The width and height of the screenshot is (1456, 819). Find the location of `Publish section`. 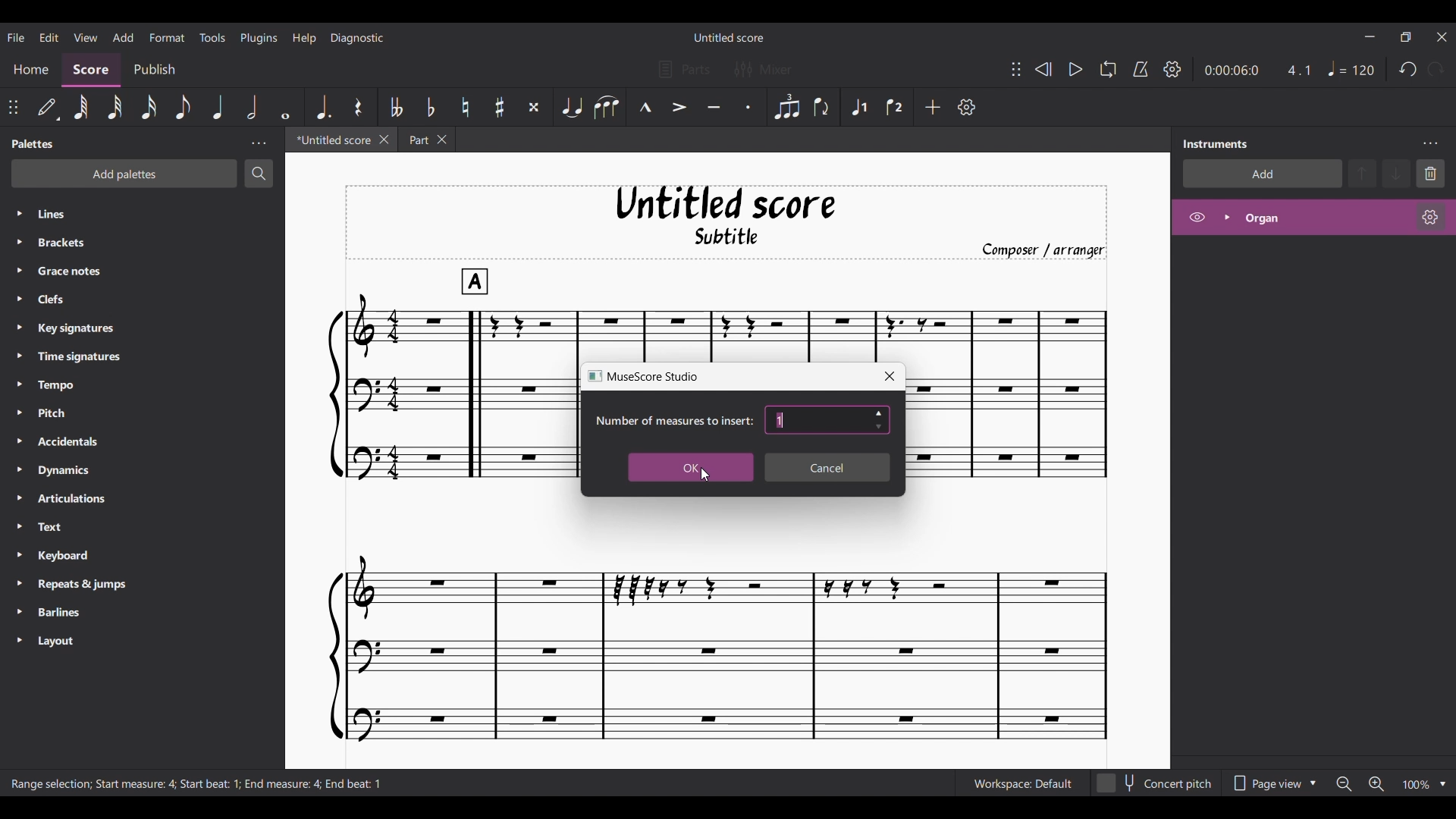

Publish section is located at coordinates (155, 70).